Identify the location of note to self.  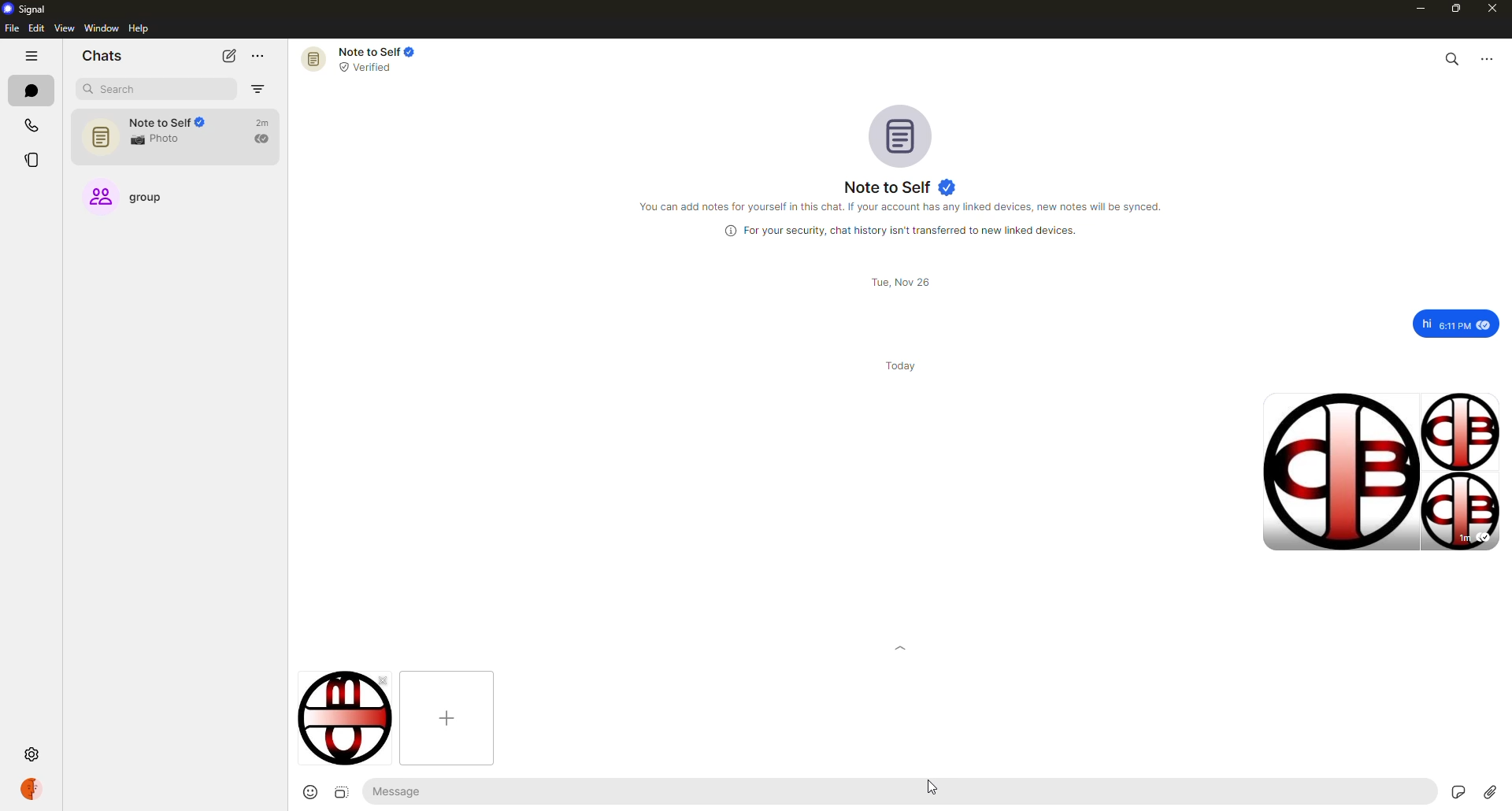
(899, 187).